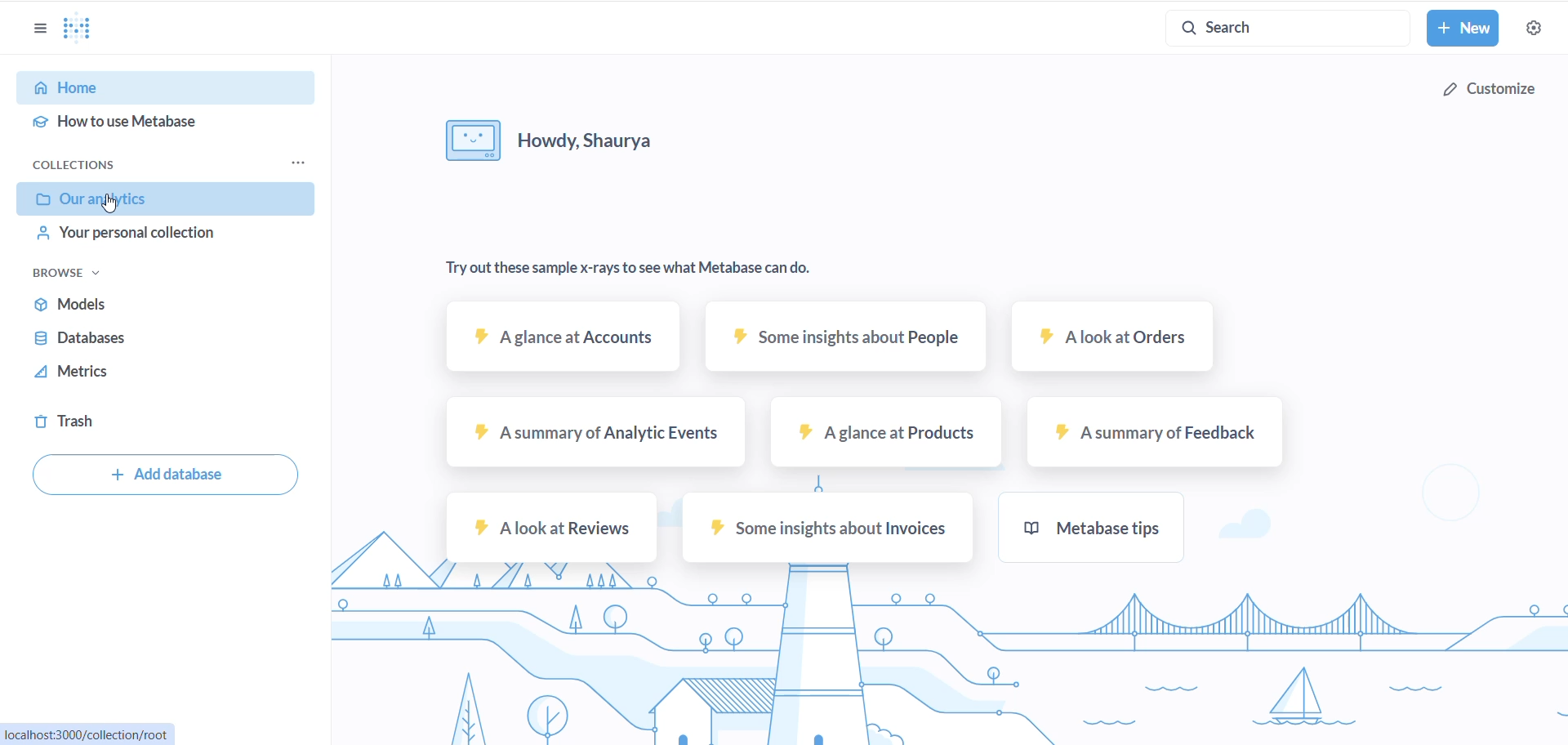 The width and height of the screenshot is (1568, 745). I want to click on Try out these sample x-rays to see what Metabase can do., so click(624, 265).